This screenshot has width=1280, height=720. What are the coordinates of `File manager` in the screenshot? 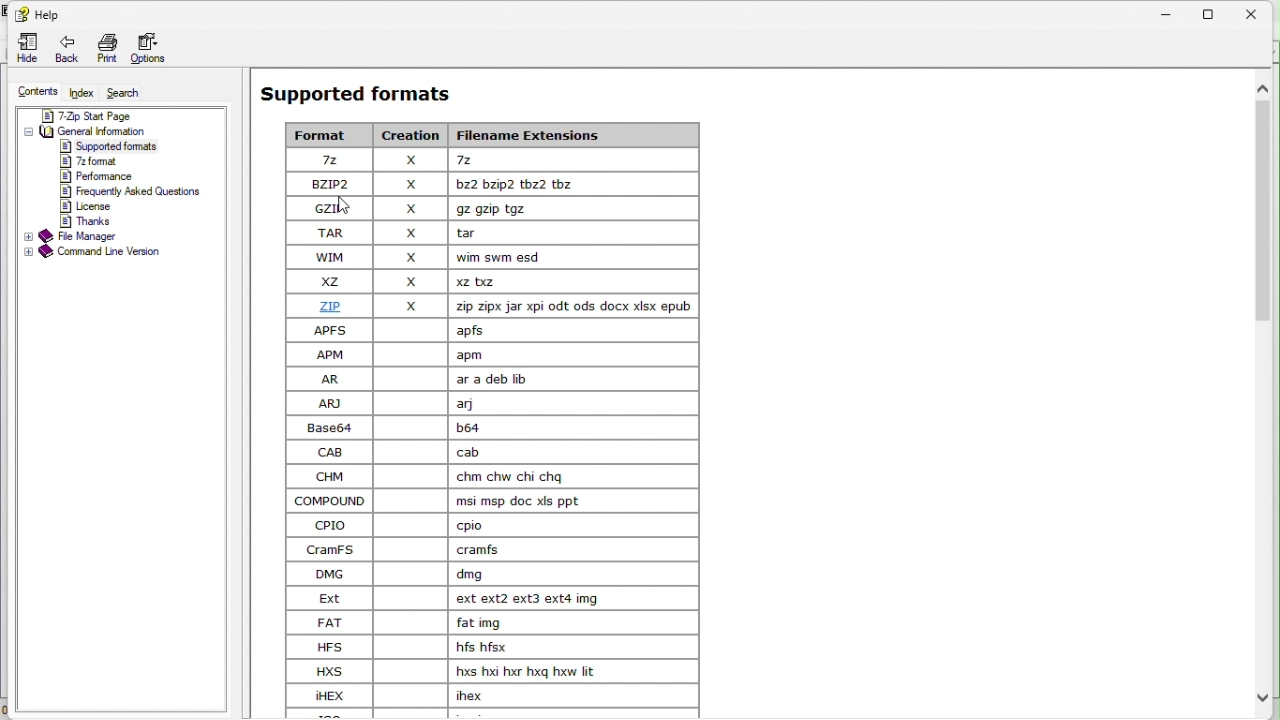 It's located at (72, 236).